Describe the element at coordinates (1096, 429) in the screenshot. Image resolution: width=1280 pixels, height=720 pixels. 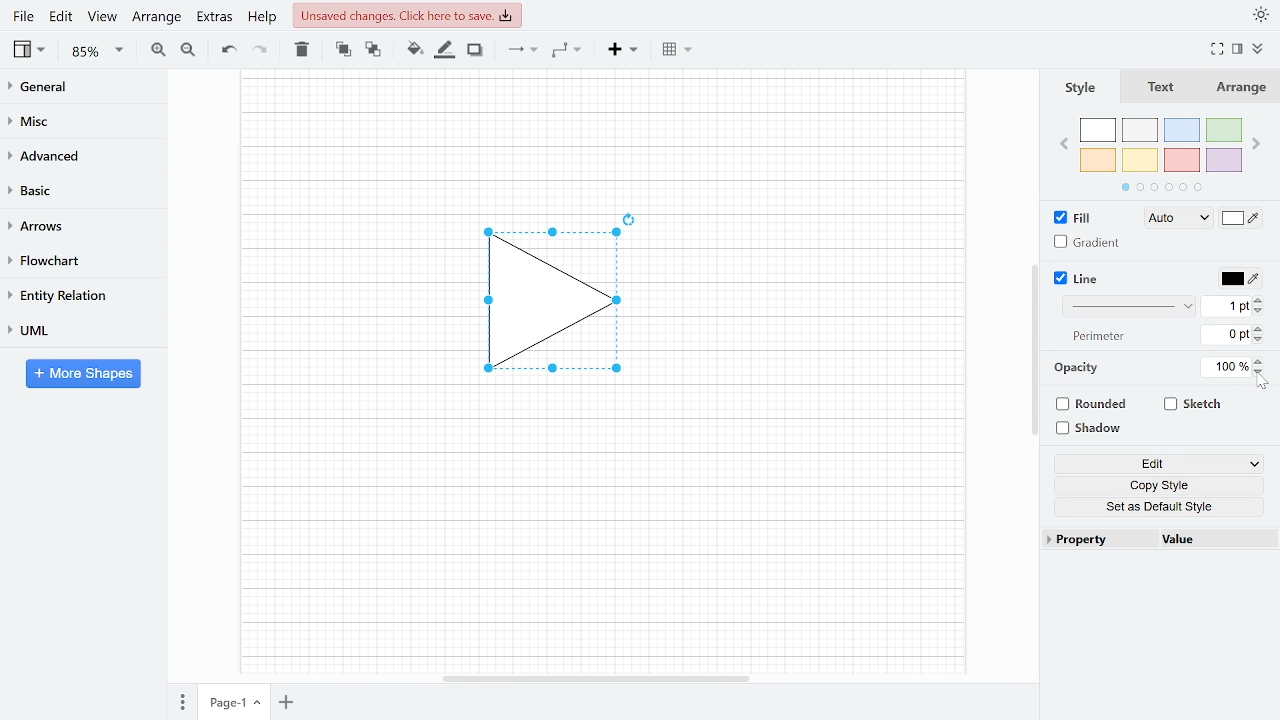
I see `Shadow` at that location.